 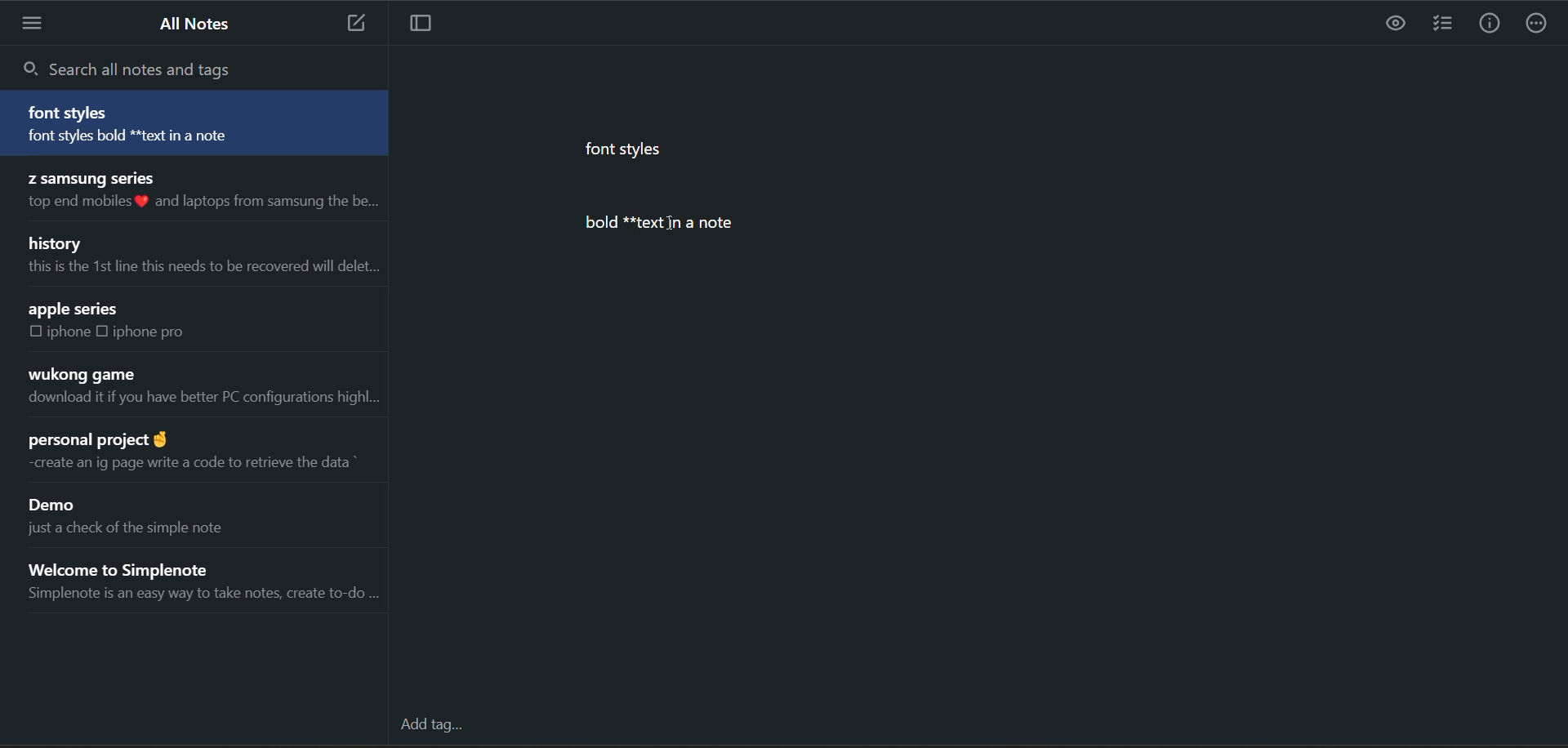 What do you see at coordinates (141, 532) in the screenshot?
I see `just a check of the simple note` at bounding box center [141, 532].